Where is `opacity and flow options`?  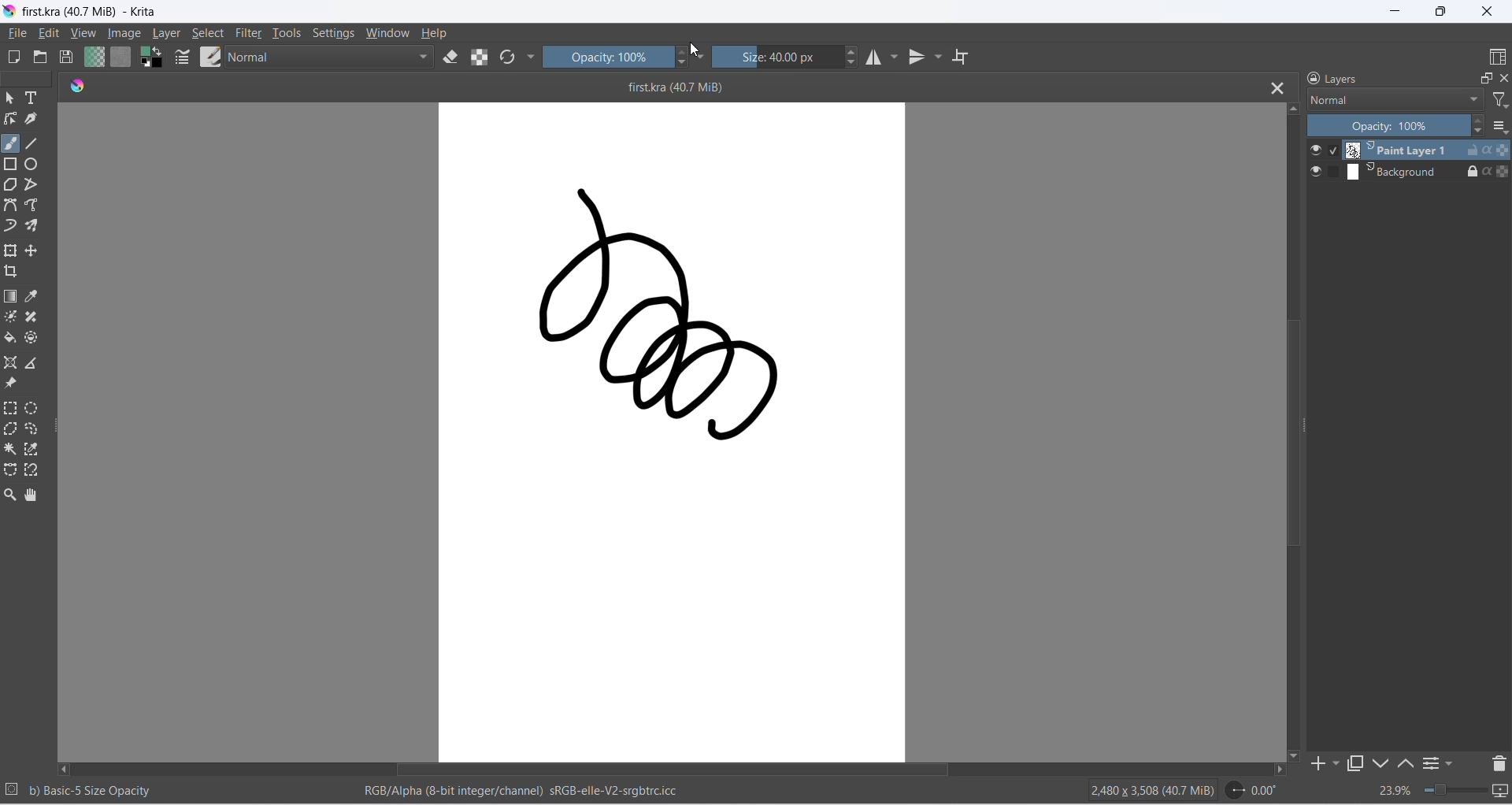
opacity and flow options is located at coordinates (702, 56).